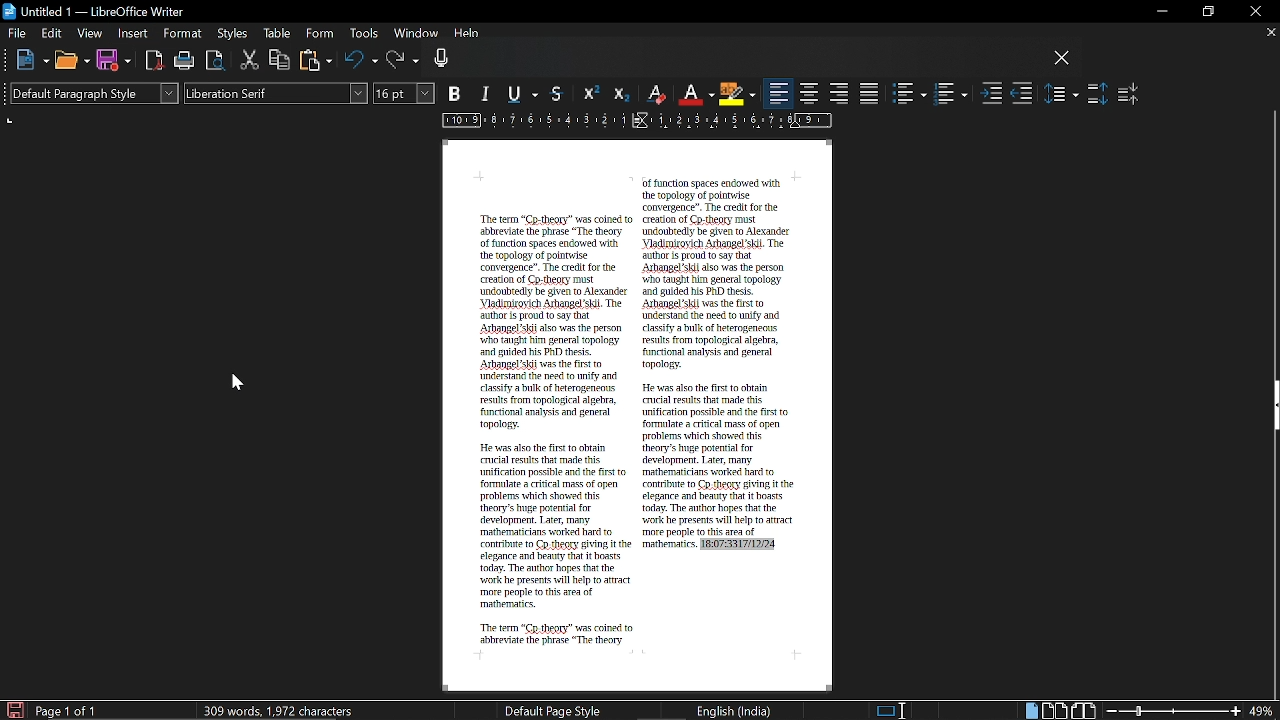  Describe the element at coordinates (1085, 710) in the screenshot. I see `Book view` at that location.